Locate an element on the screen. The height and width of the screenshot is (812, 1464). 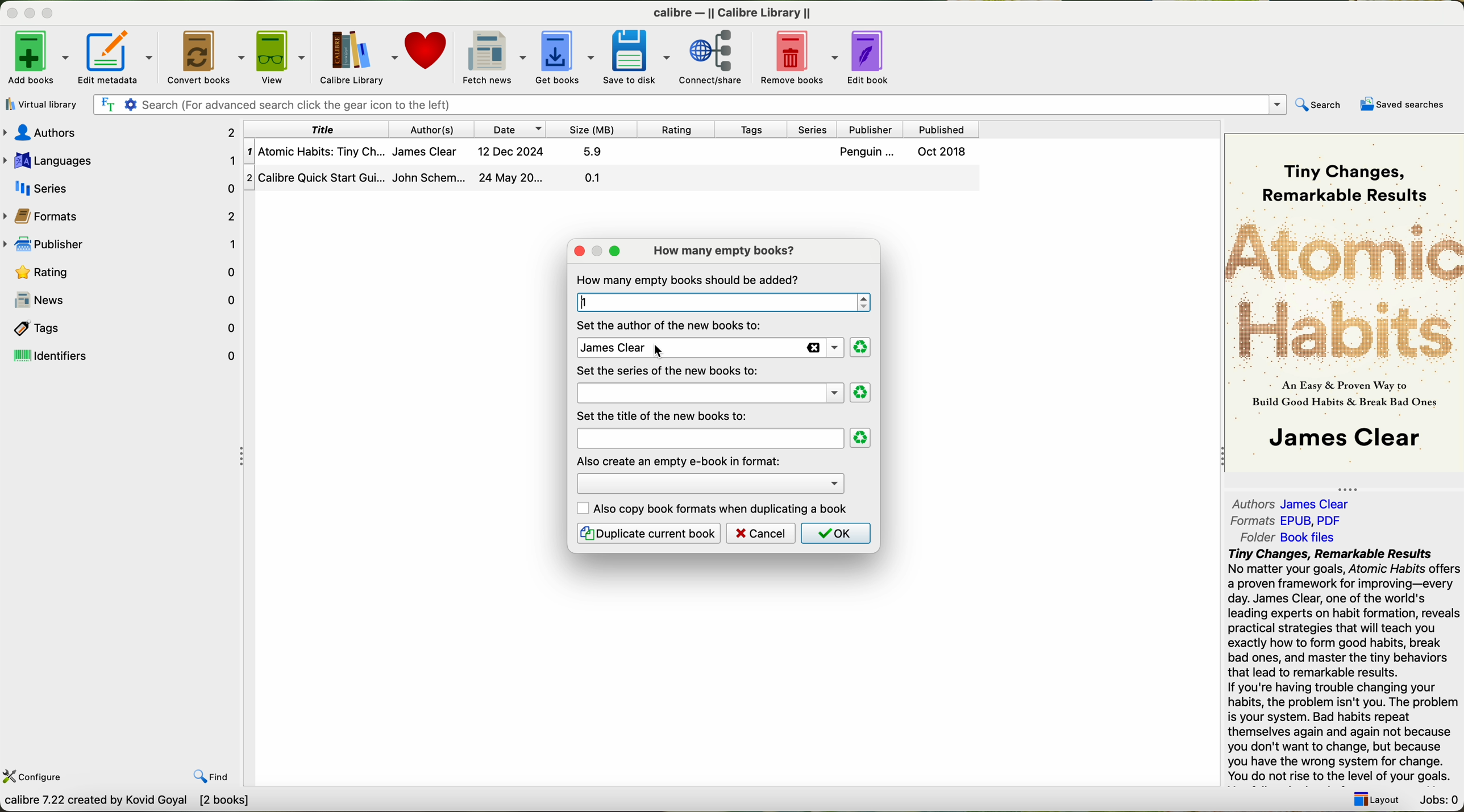
try changes remarkable results no matter your goals ,Atomic Habits offers a proven framework for improvity every day ,James Clear one of the word's leading expert on habit formation reveals practice startegies that will teach you howto form break bad ones and improve tiny beahbviors turn in ramarkable results.you do not rise to the level of your goals. is located at coordinates (1342, 666).